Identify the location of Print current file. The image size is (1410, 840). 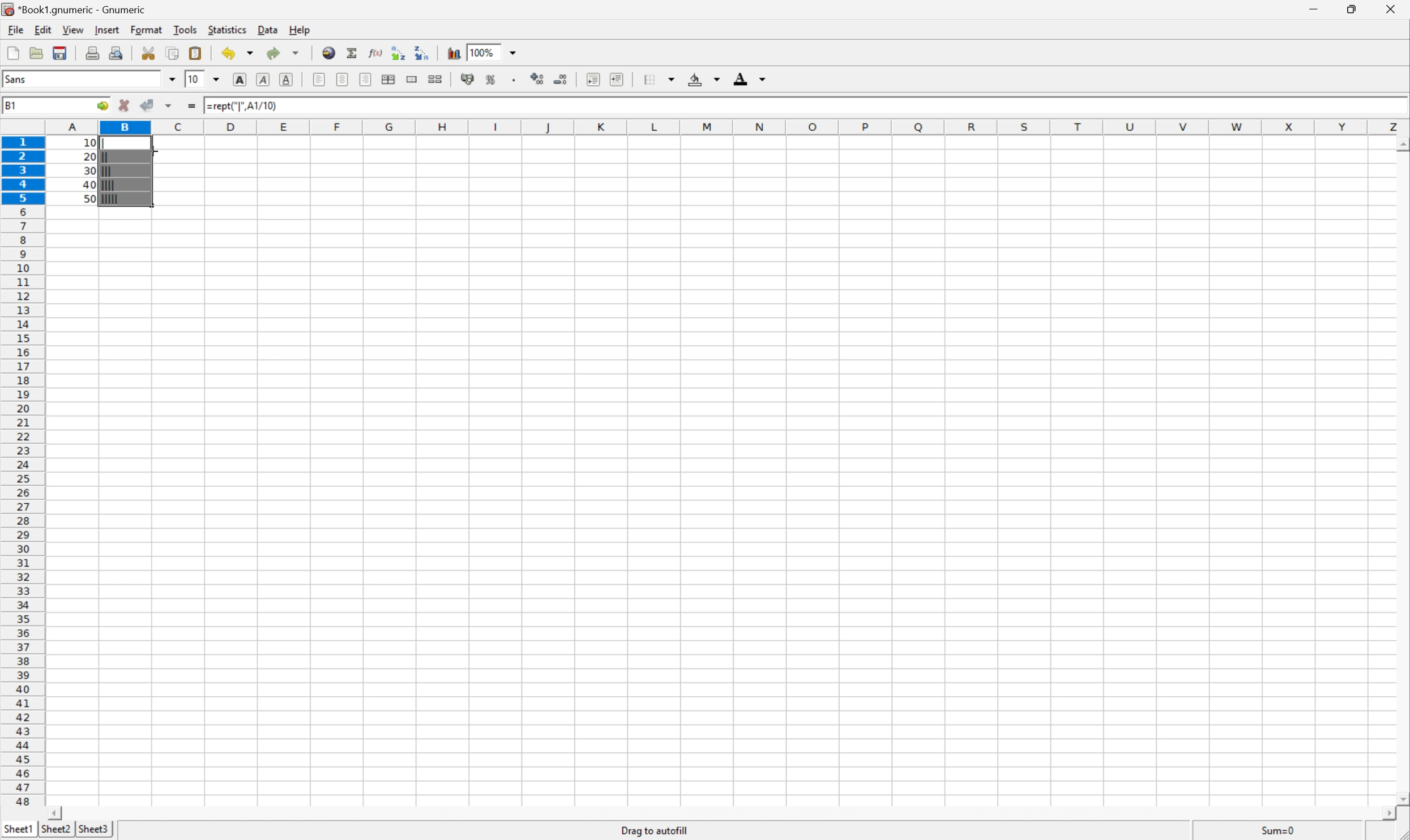
(93, 53).